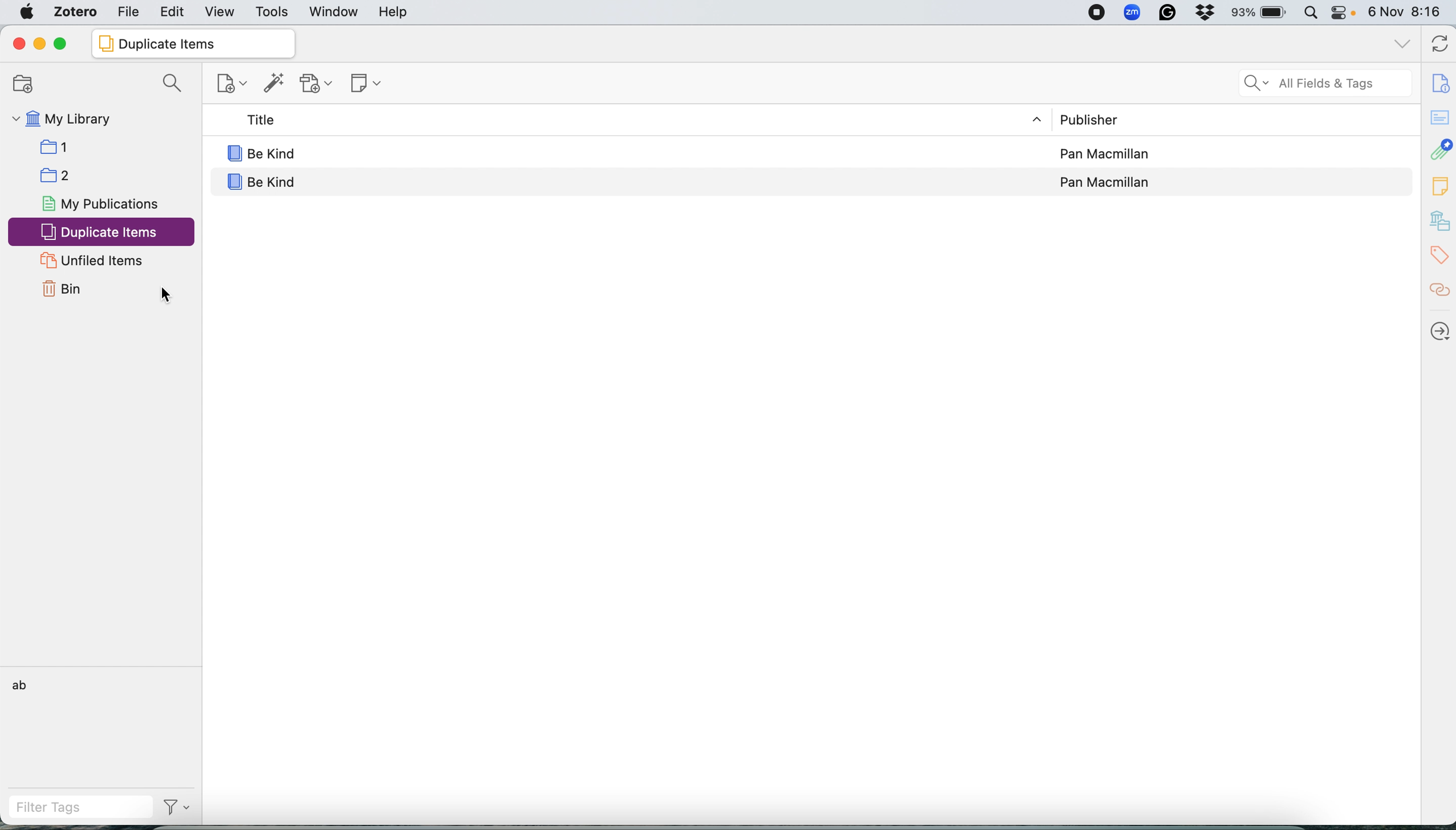 The image size is (1456, 830). What do you see at coordinates (273, 11) in the screenshot?
I see `tools` at bounding box center [273, 11].